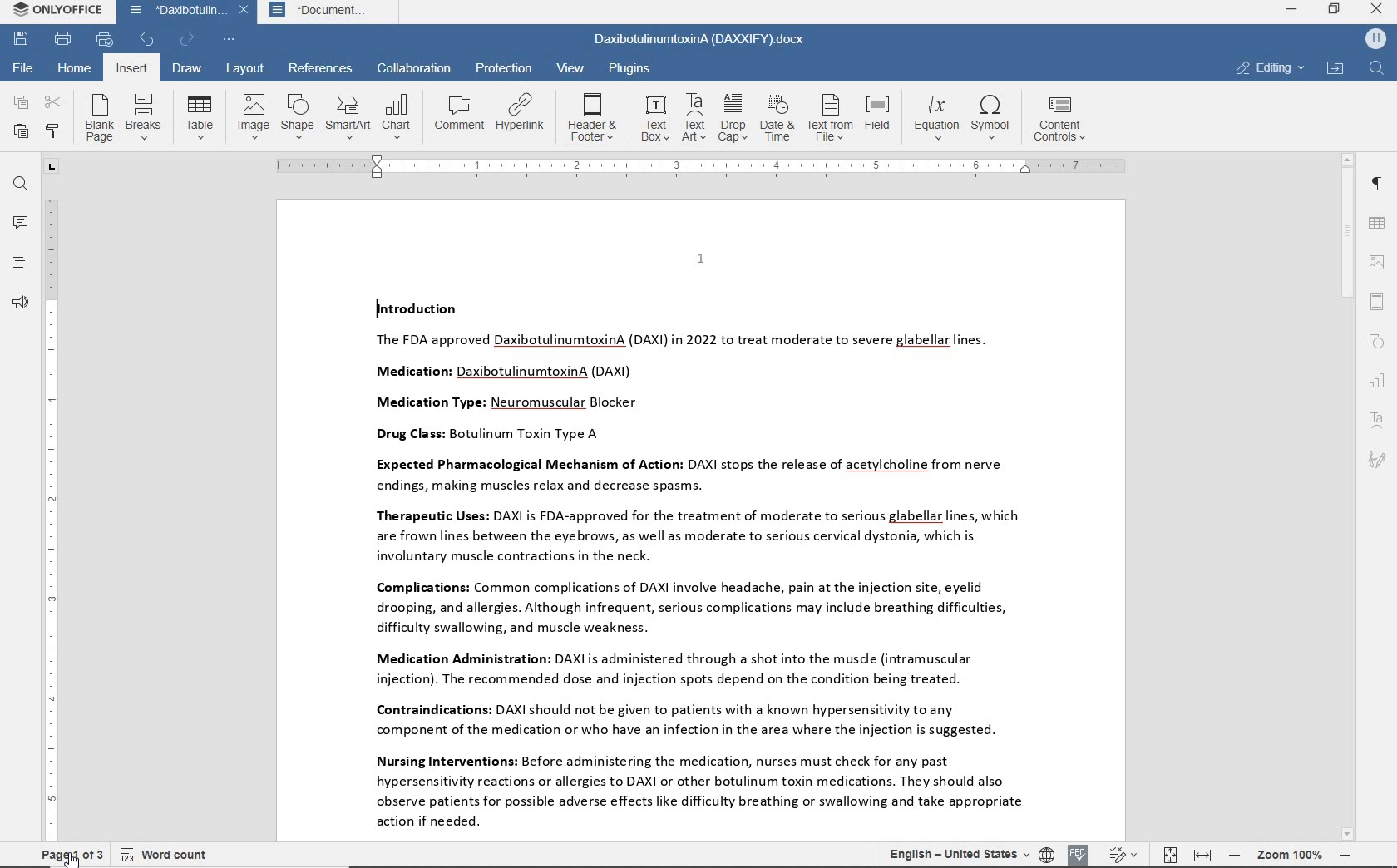 Image resolution: width=1397 pixels, height=868 pixels. What do you see at coordinates (165, 854) in the screenshot?
I see `word count` at bounding box center [165, 854].